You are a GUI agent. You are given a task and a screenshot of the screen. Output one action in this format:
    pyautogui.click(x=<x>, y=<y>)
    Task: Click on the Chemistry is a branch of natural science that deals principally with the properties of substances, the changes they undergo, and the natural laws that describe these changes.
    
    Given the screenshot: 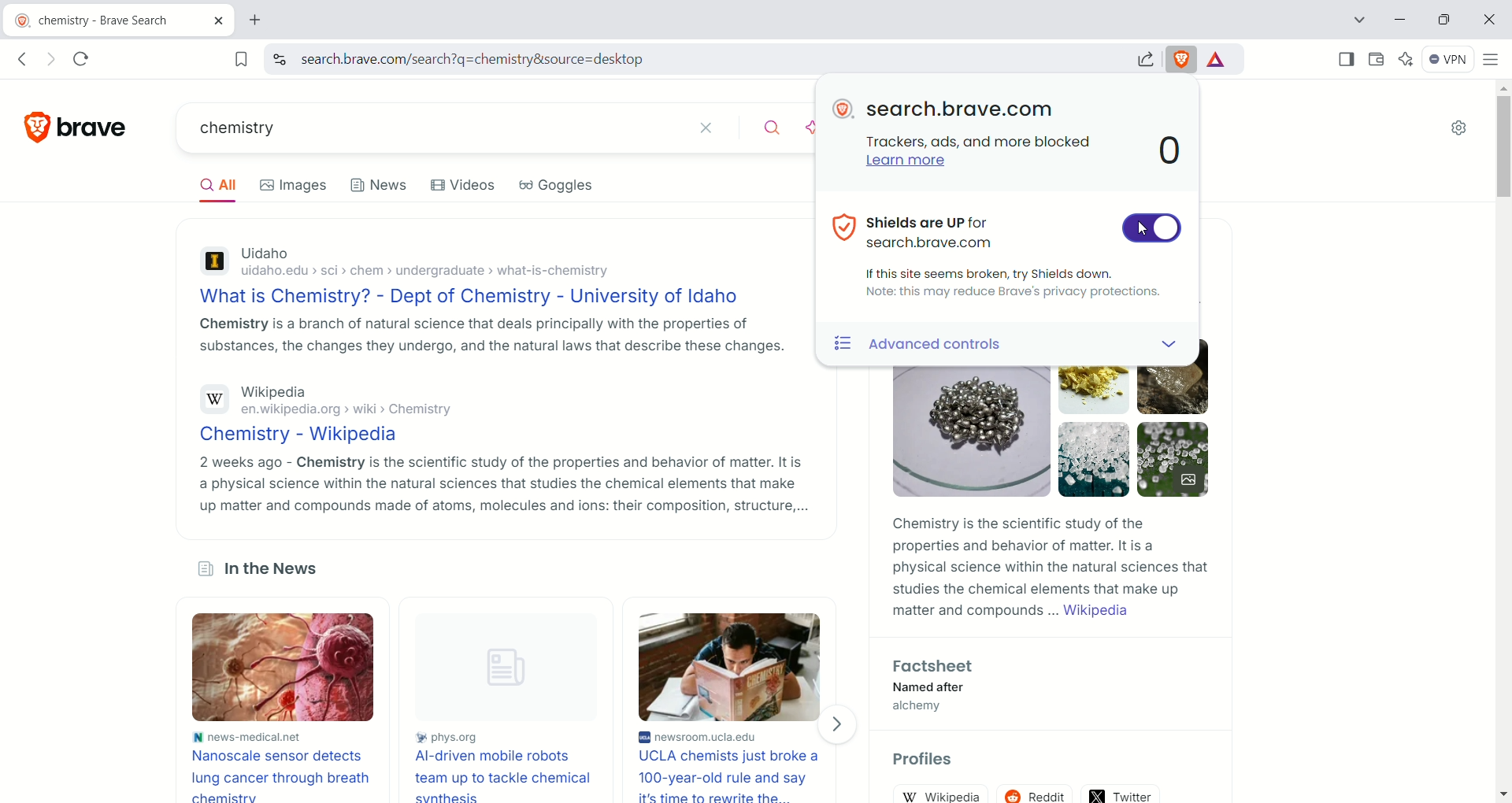 What is the action you would take?
    pyautogui.click(x=488, y=335)
    